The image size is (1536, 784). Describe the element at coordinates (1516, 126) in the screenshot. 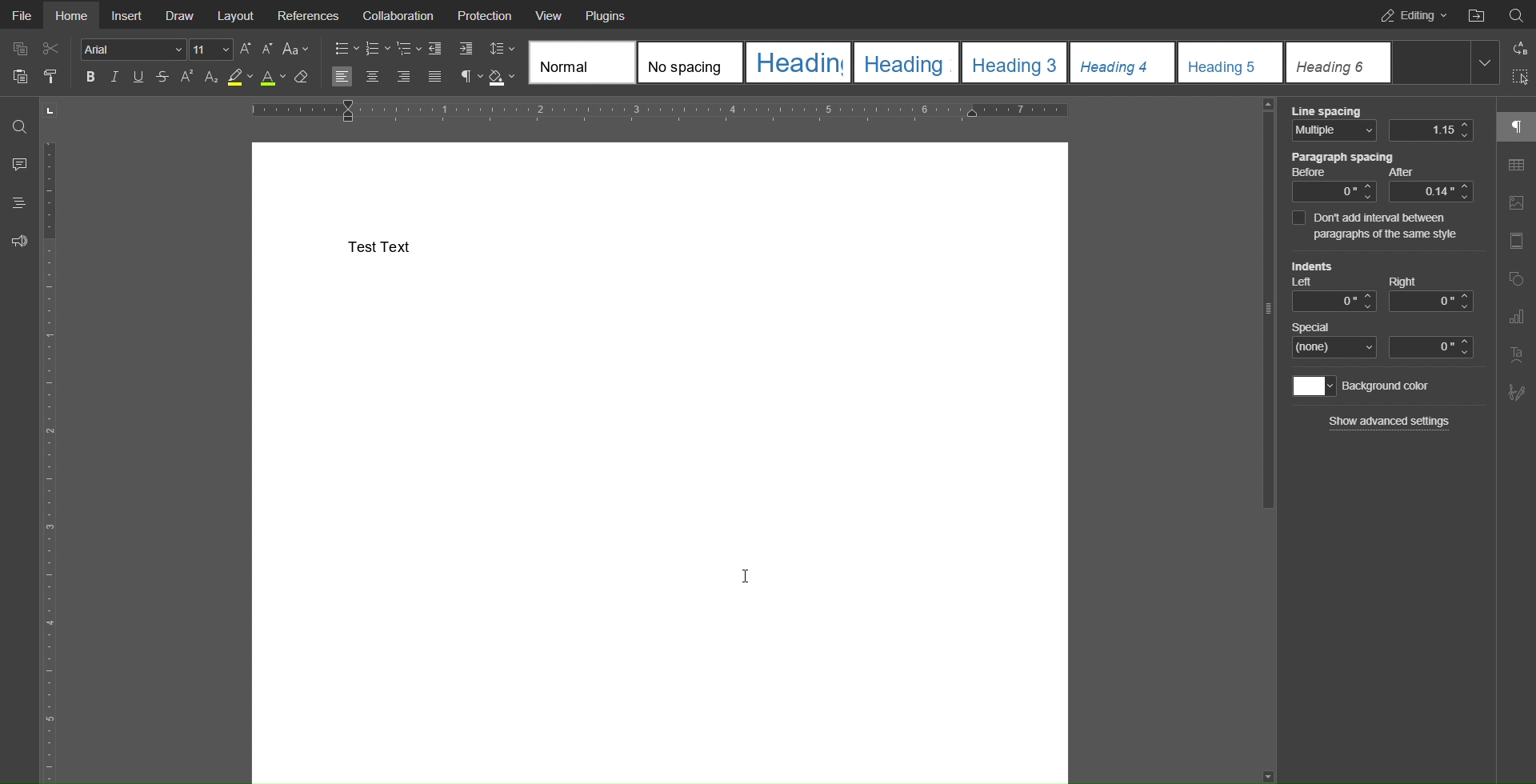

I see `Paragraph Settings` at that location.